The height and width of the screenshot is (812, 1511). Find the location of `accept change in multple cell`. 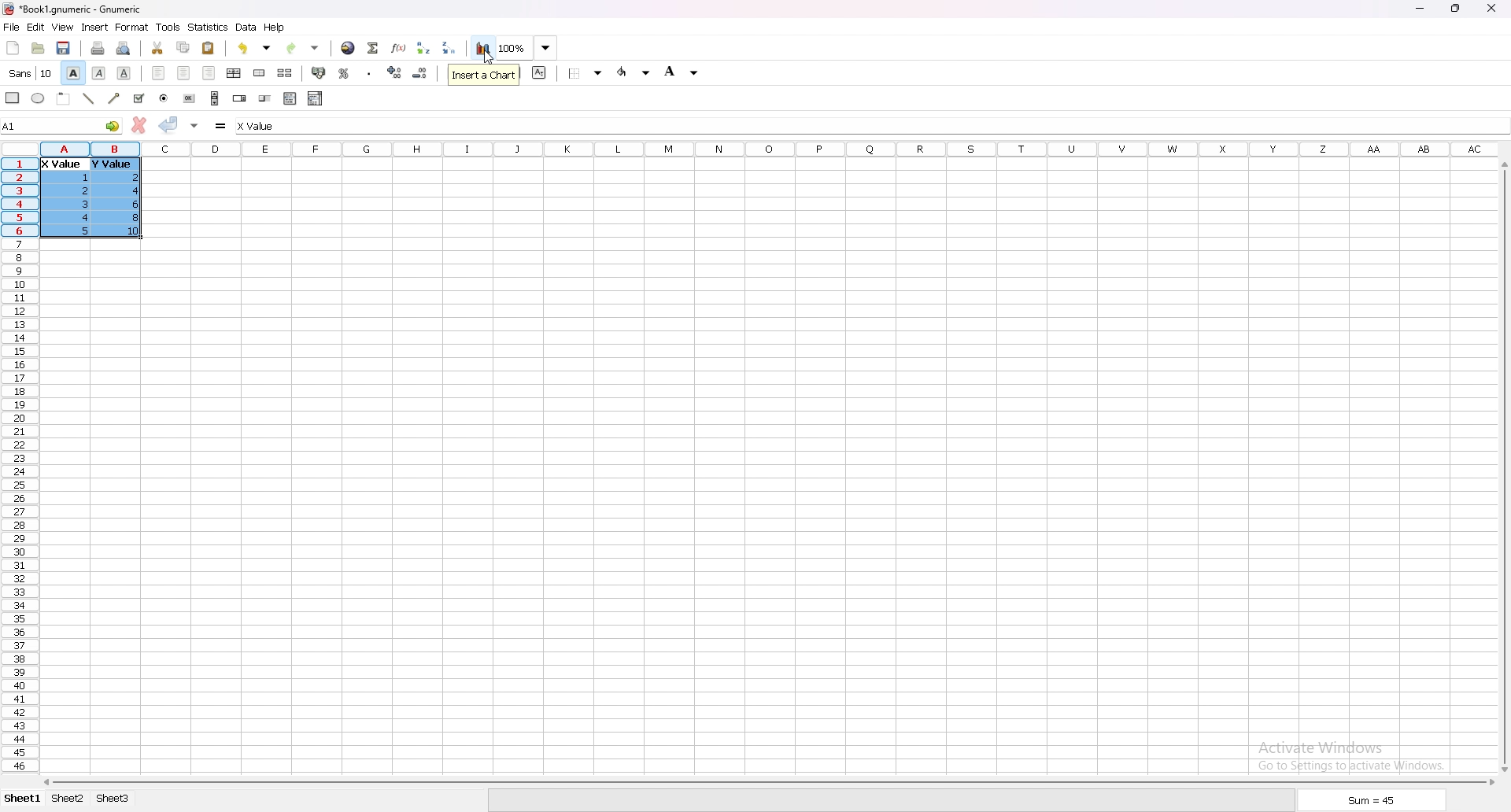

accept change in multple cell is located at coordinates (196, 124).